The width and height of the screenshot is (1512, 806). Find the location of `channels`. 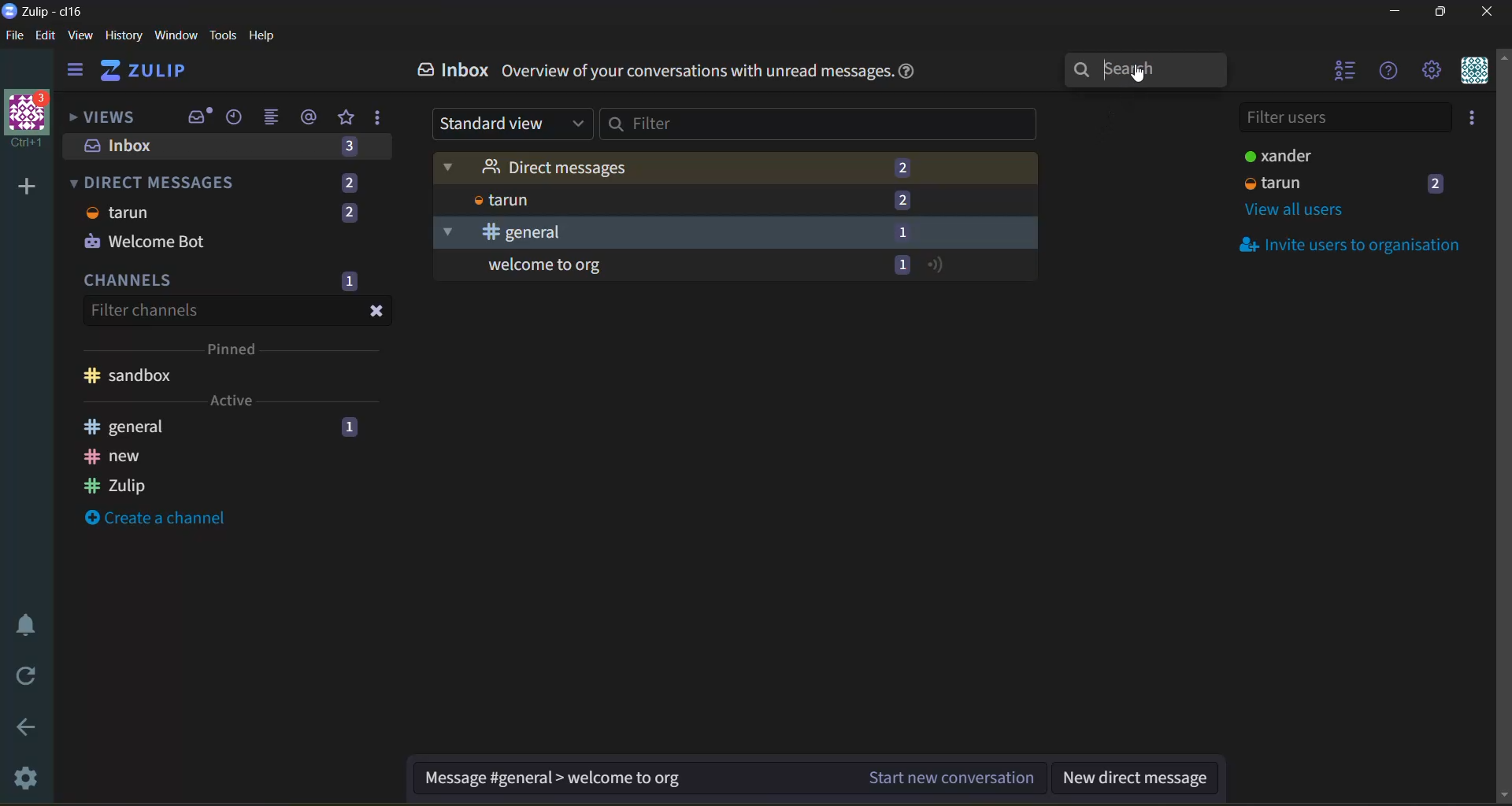

channels is located at coordinates (131, 279).